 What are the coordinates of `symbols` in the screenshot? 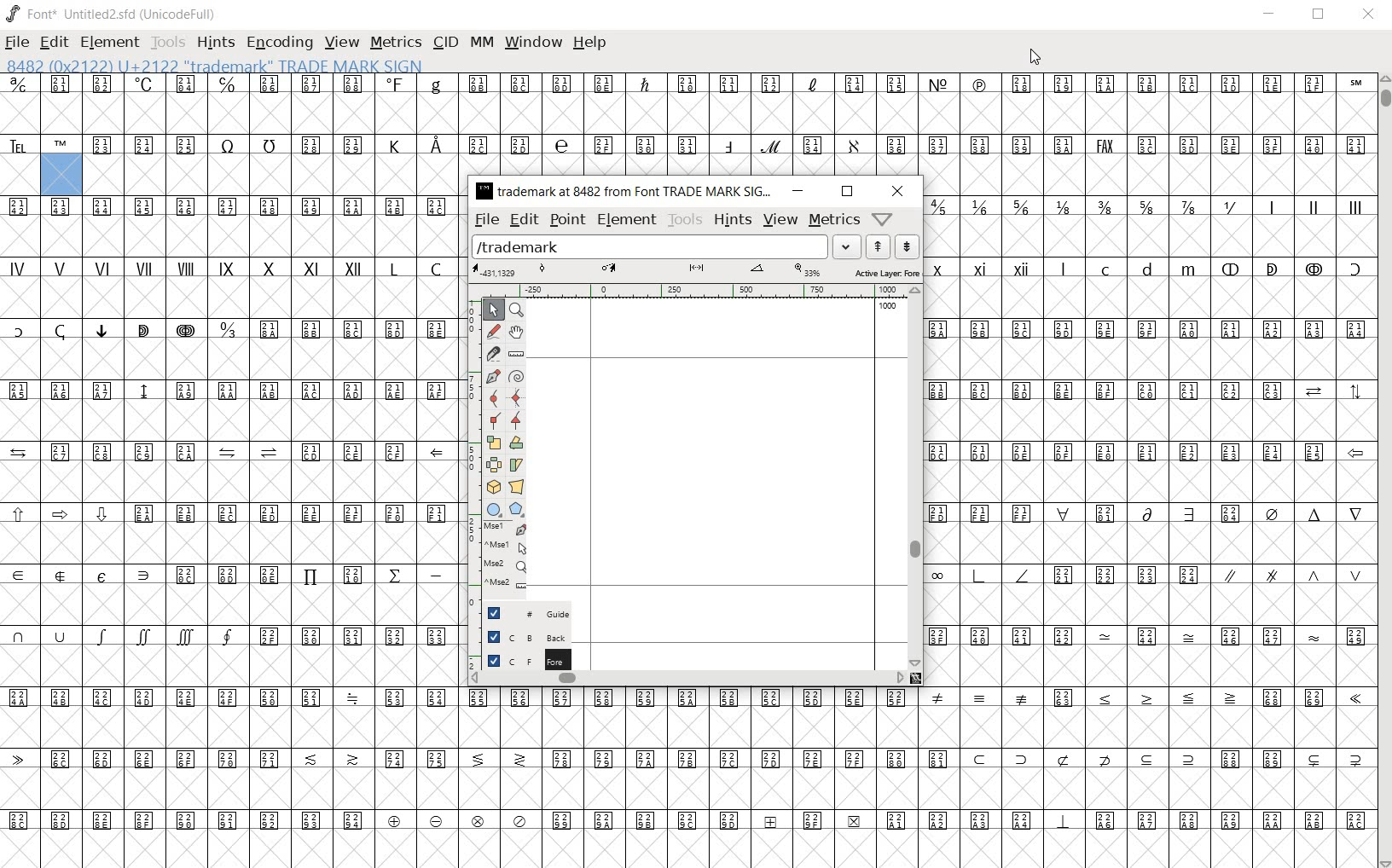 It's located at (687, 124).